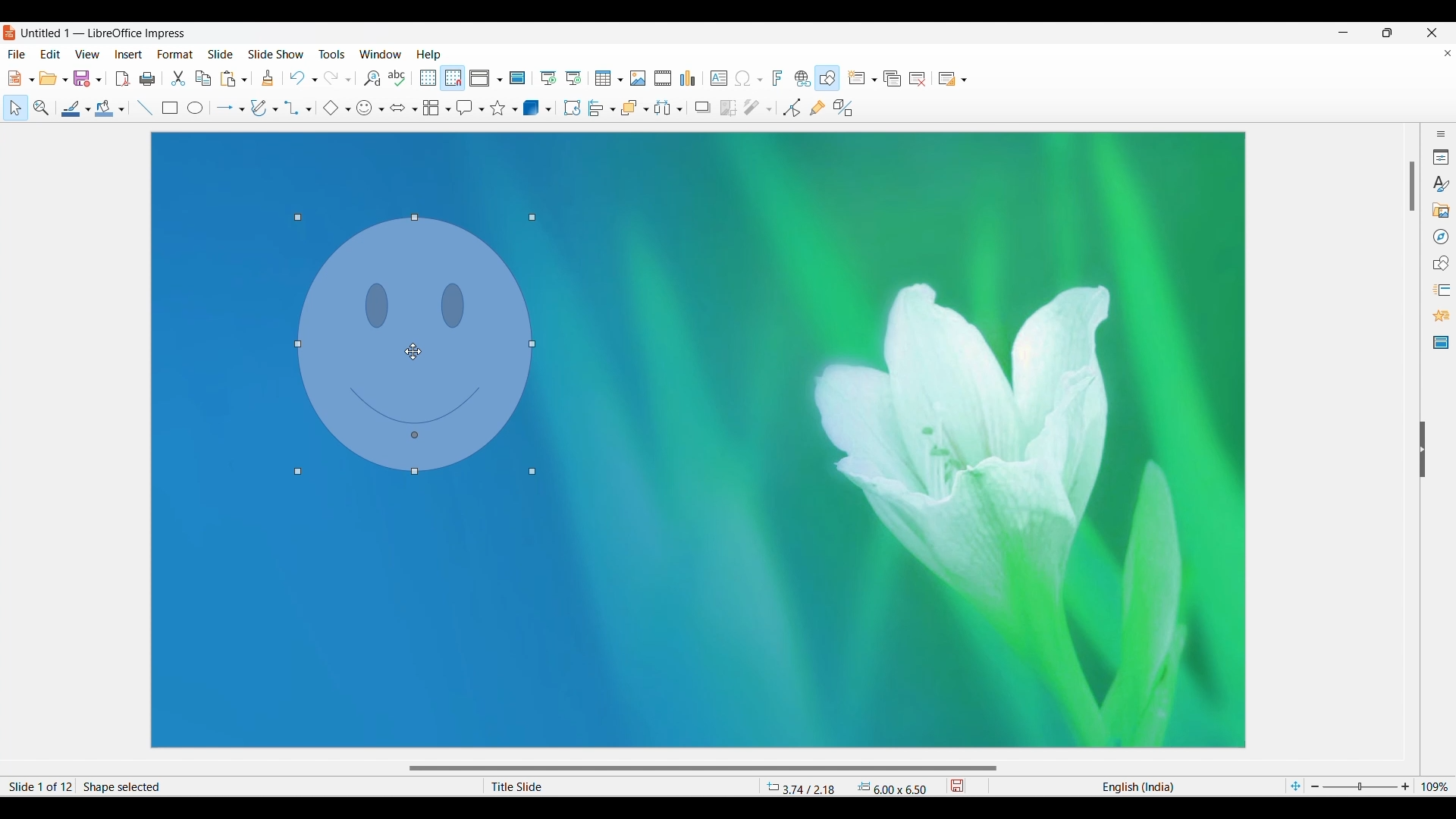 The height and width of the screenshot is (819, 1456). Describe the element at coordinates (170, 108) in the screenshot. I see `Rectangle` at that location.